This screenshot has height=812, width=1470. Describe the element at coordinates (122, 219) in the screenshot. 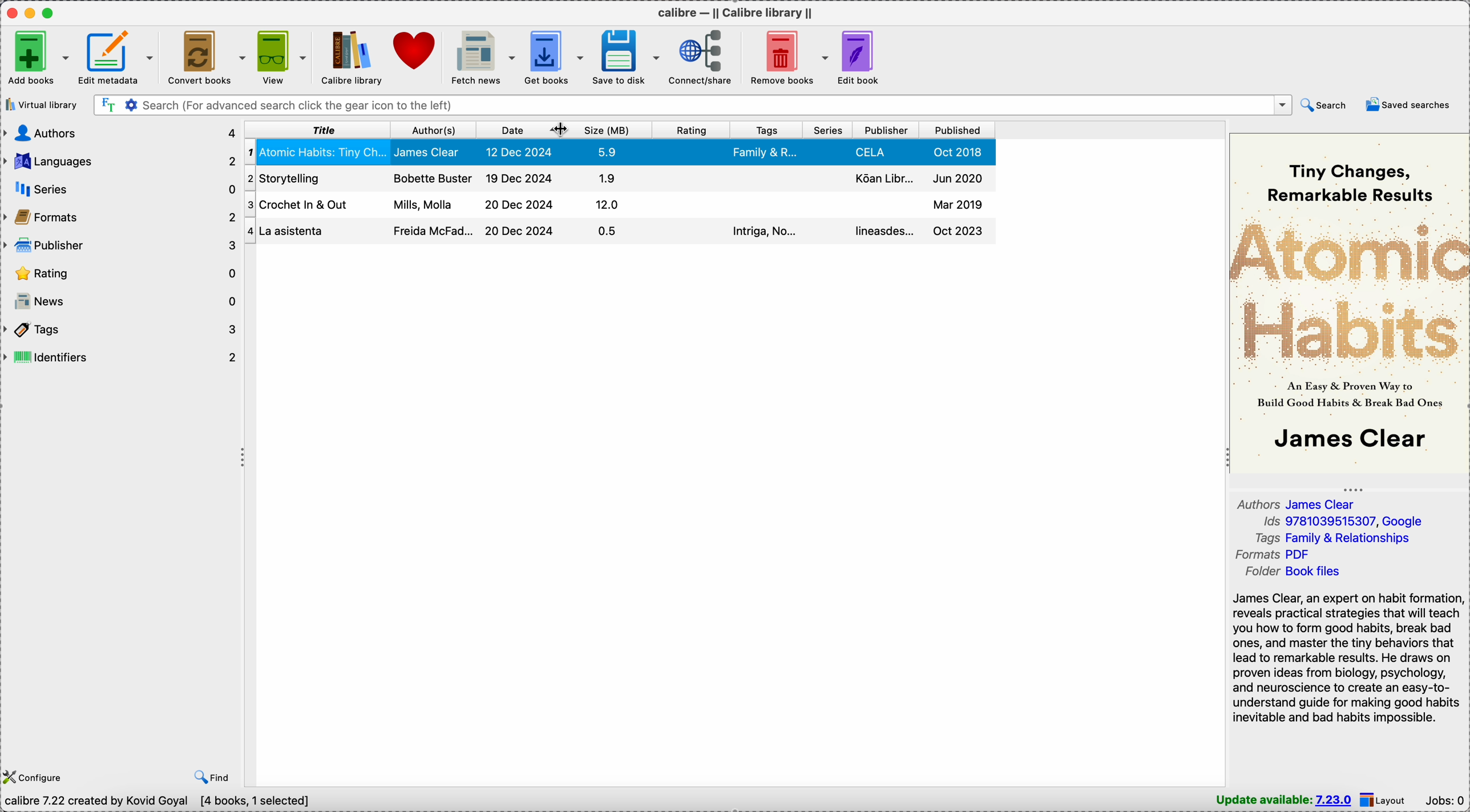

I see `formats` at that location.